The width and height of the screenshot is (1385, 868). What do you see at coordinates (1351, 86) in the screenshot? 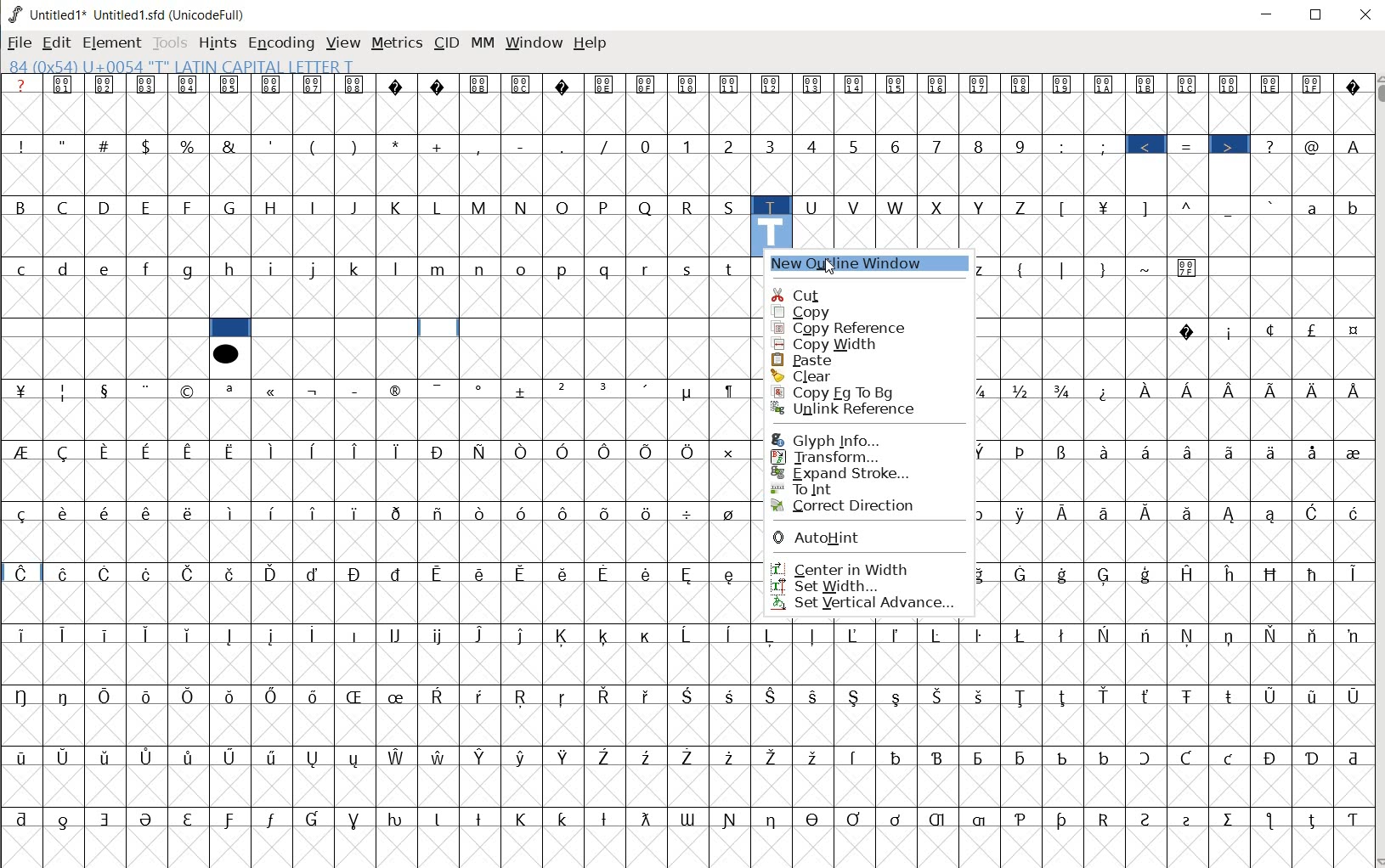
I see `Symbol` at bounding box center [1351, 86].